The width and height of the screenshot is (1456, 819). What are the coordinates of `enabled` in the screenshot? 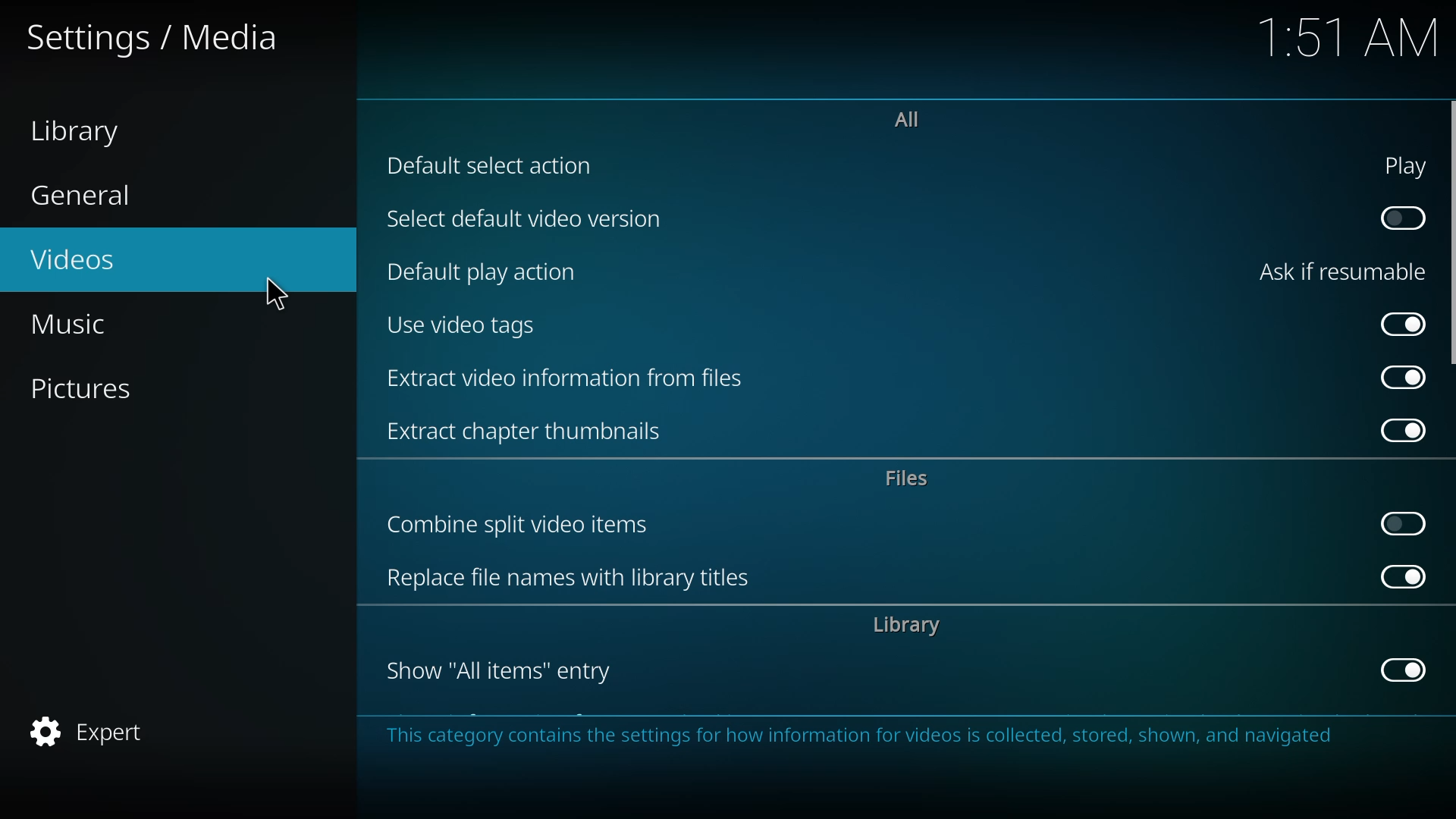 It's located at (1402, 574).